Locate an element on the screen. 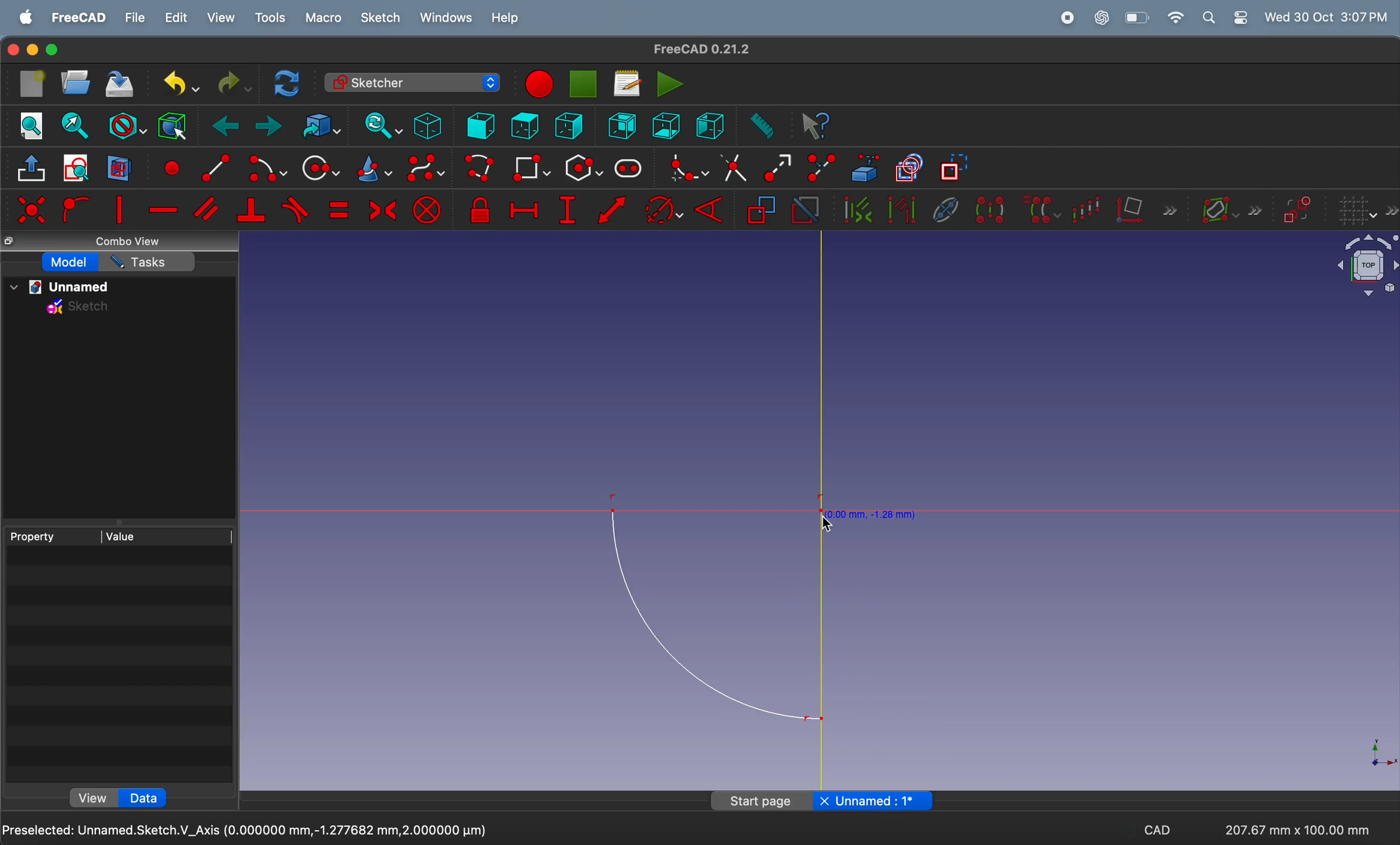  sketch is located at coordinates (79, 309).